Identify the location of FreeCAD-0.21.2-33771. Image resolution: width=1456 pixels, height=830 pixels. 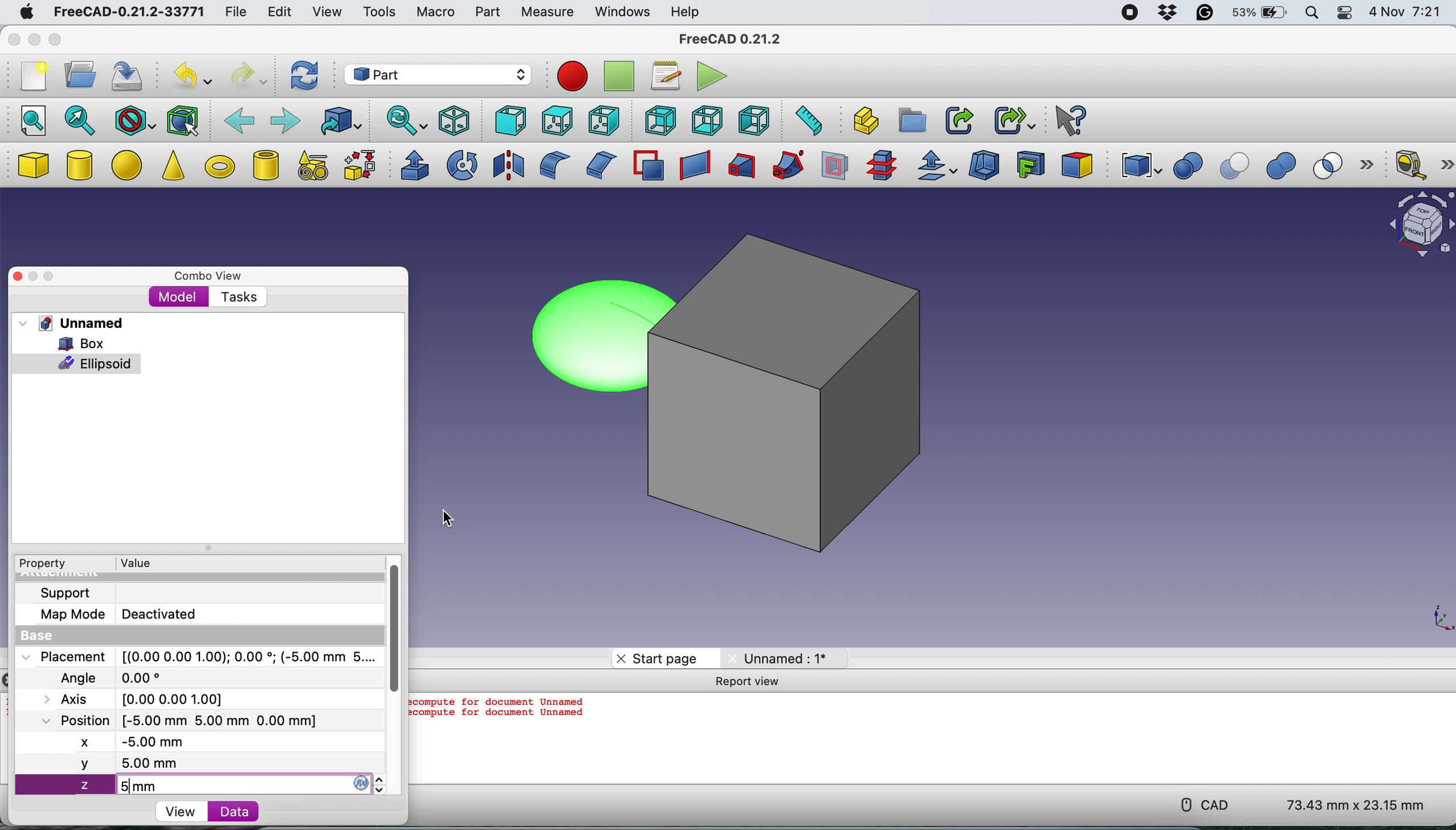
(127, 13).